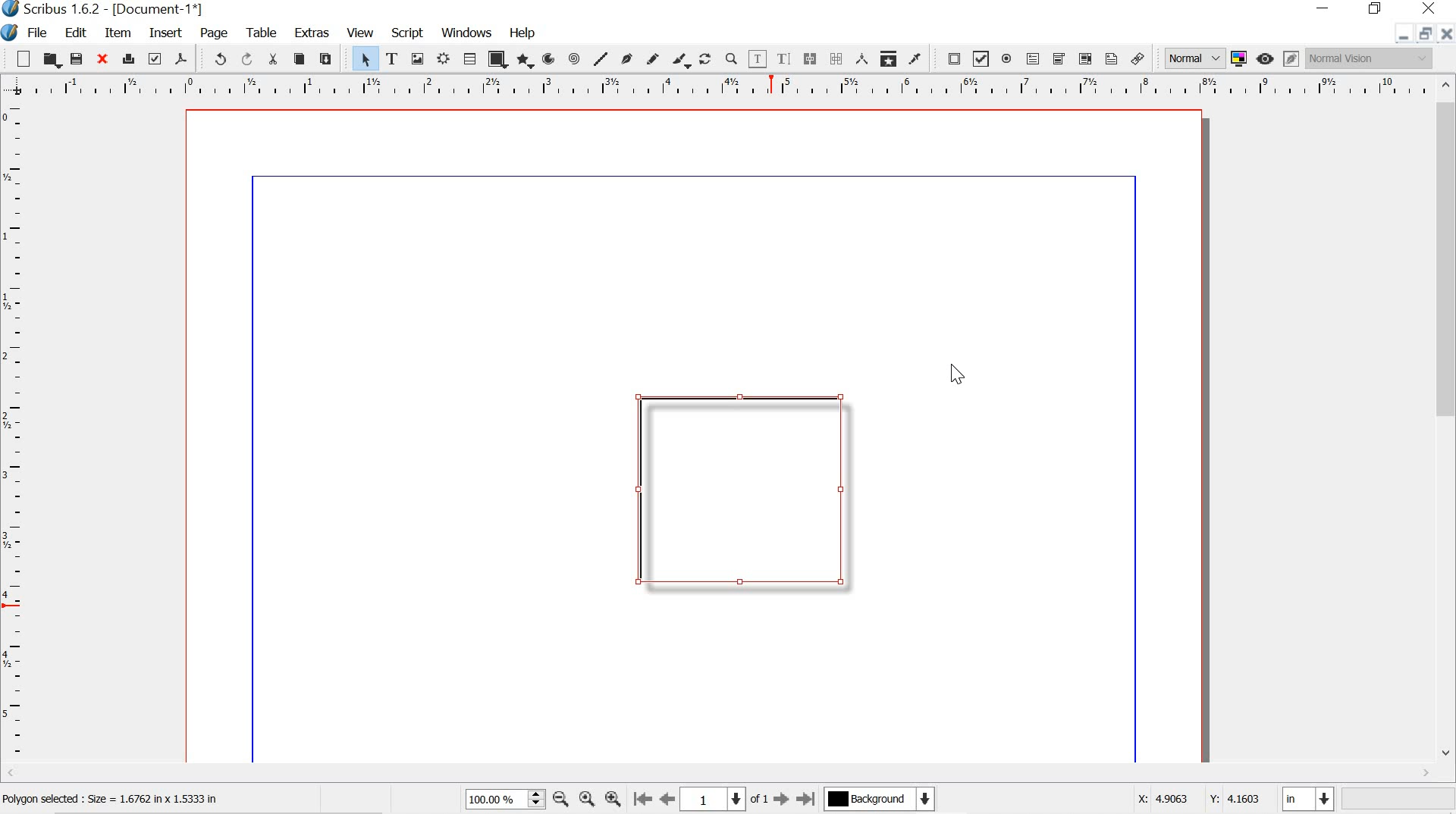 This screenshot has height=814, width=1456. Describe the element at coordinates (1238, 58) in the screenshot. I see `toggle color management system` at that location.